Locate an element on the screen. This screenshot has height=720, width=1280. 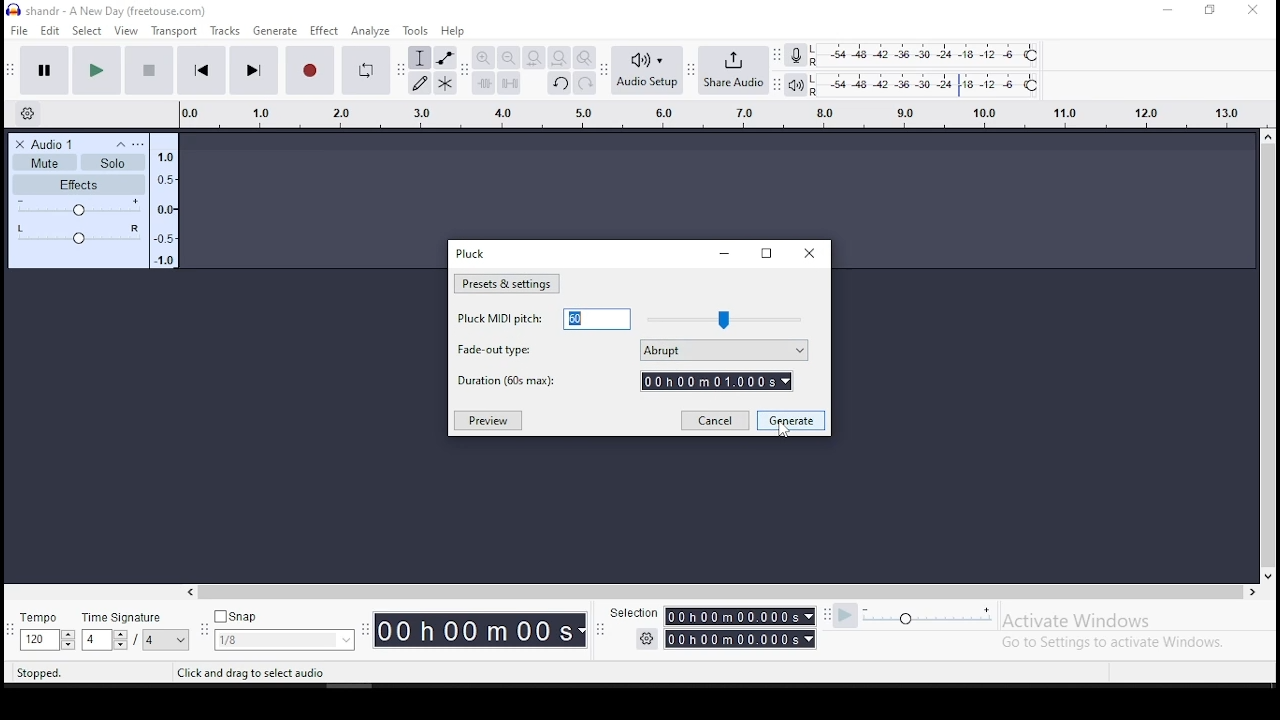
 is located at coordinates (630, 613).